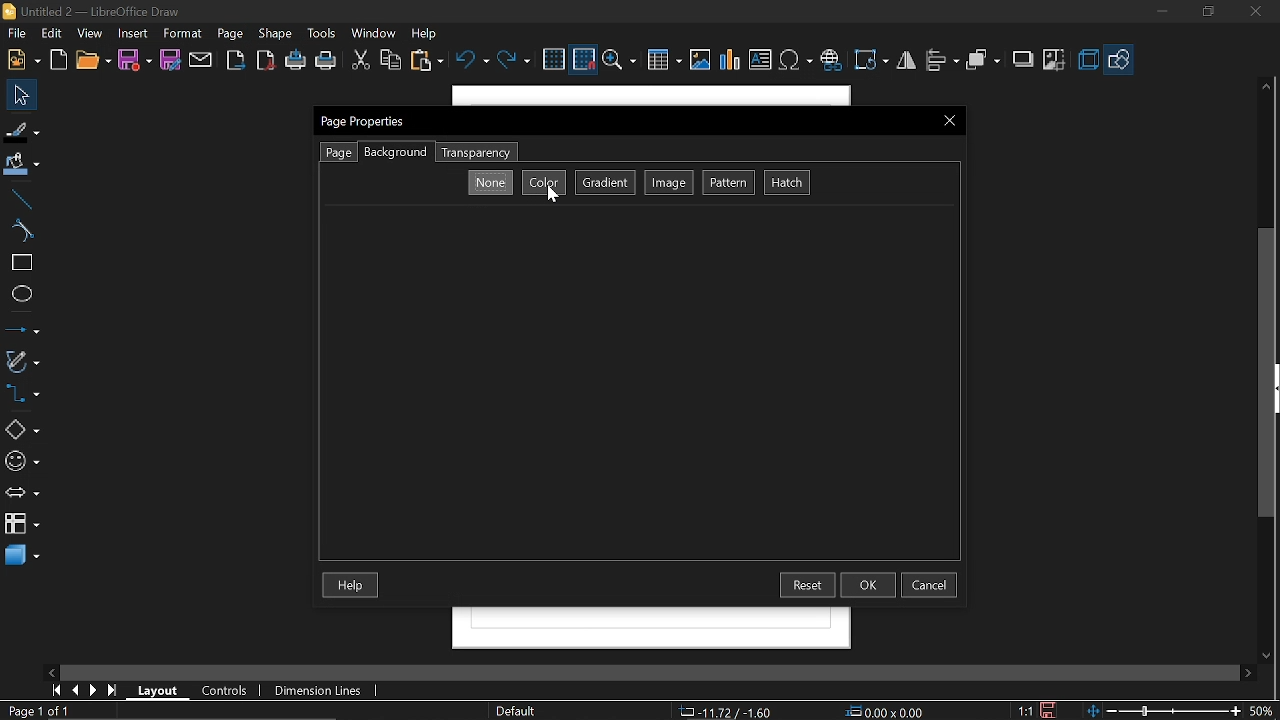 The image size is (1280, 720). What do you see at coordinates (265, 60) in the screenshot?
I see `Export as pdf` at bounding box center [265, 60].